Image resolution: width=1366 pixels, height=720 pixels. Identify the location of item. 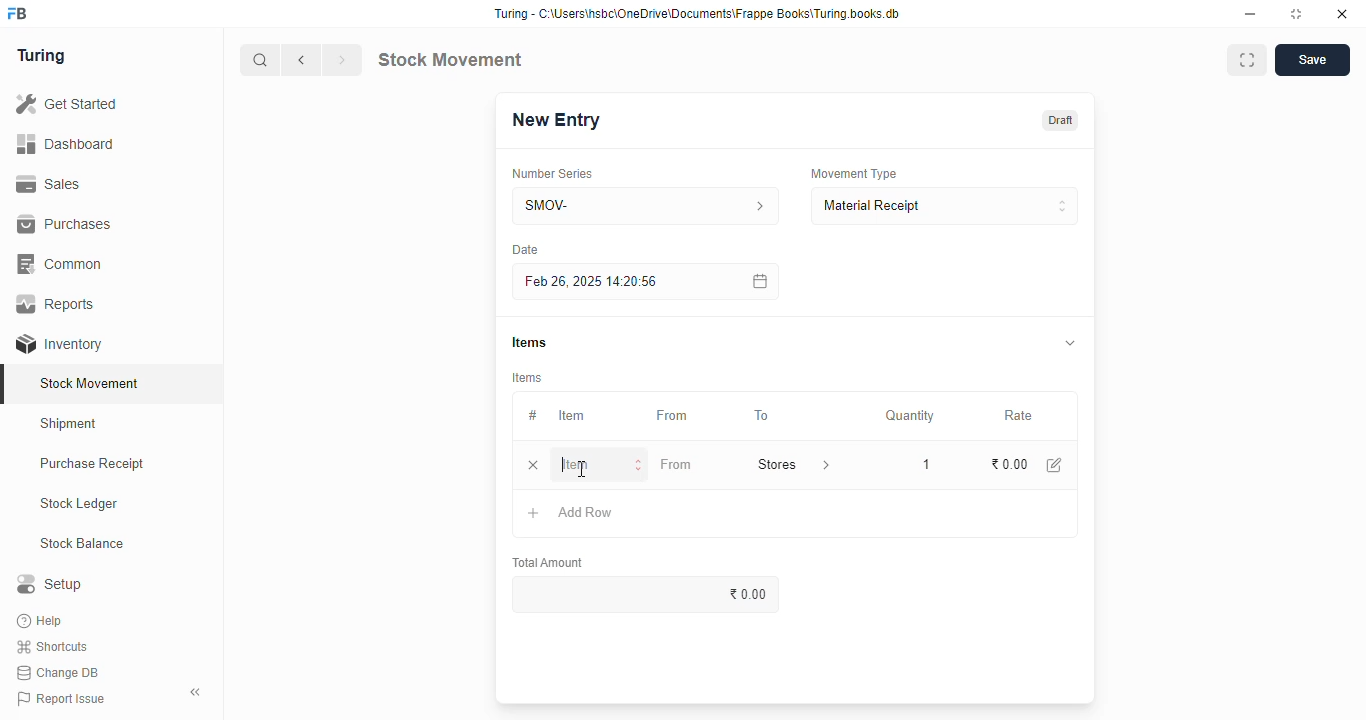
(571, 415).